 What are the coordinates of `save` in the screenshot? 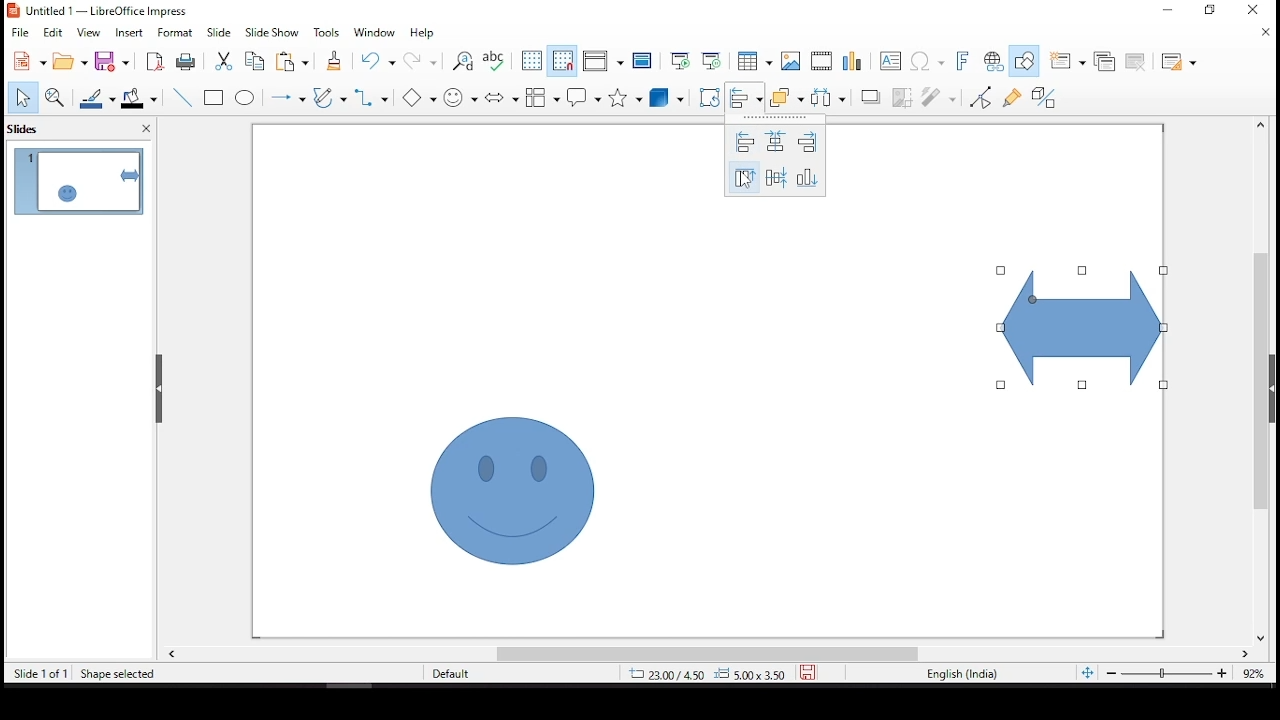 It's located at (115, 62).